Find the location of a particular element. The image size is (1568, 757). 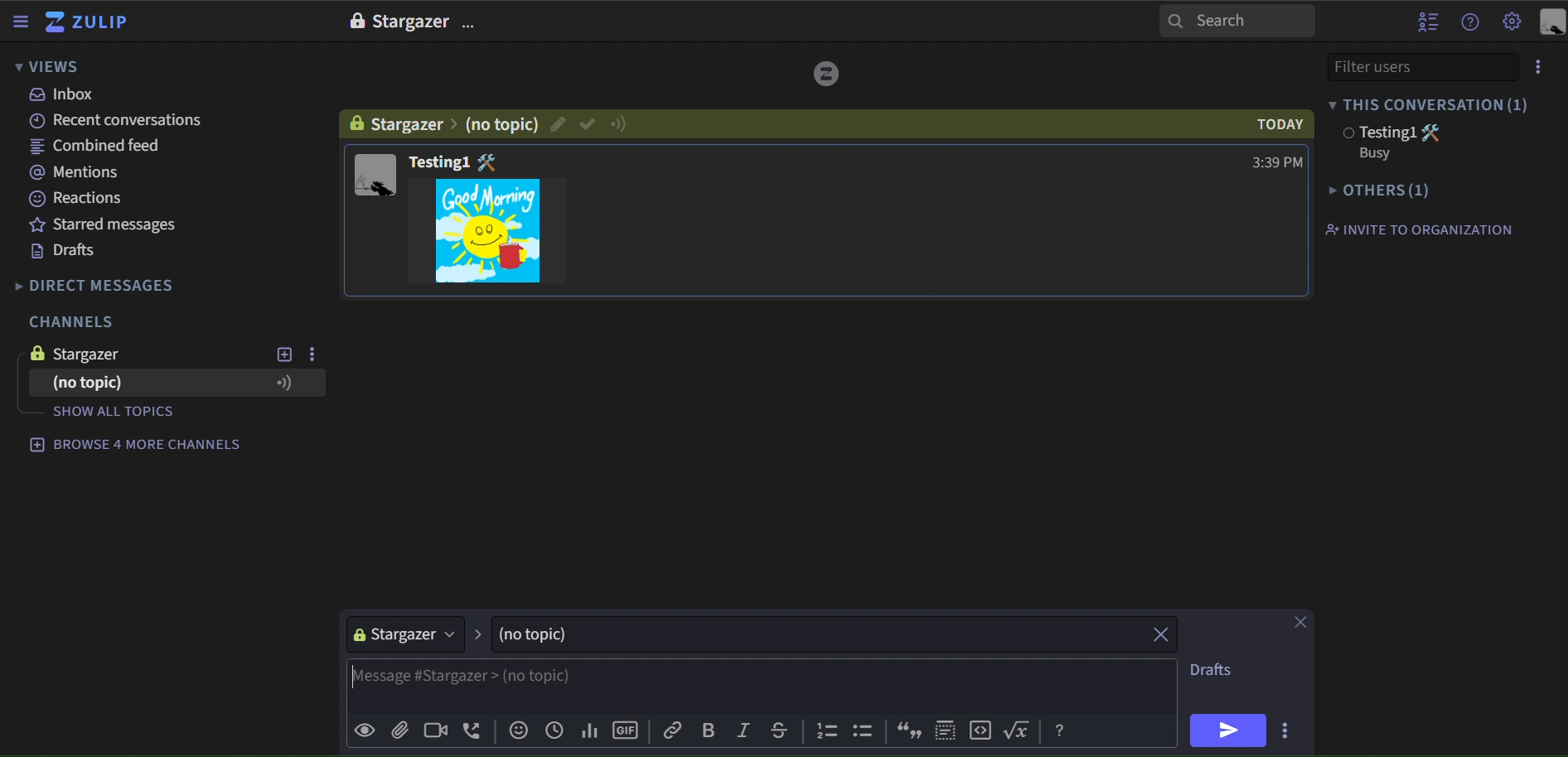

image is located at coordinates (355, 21).